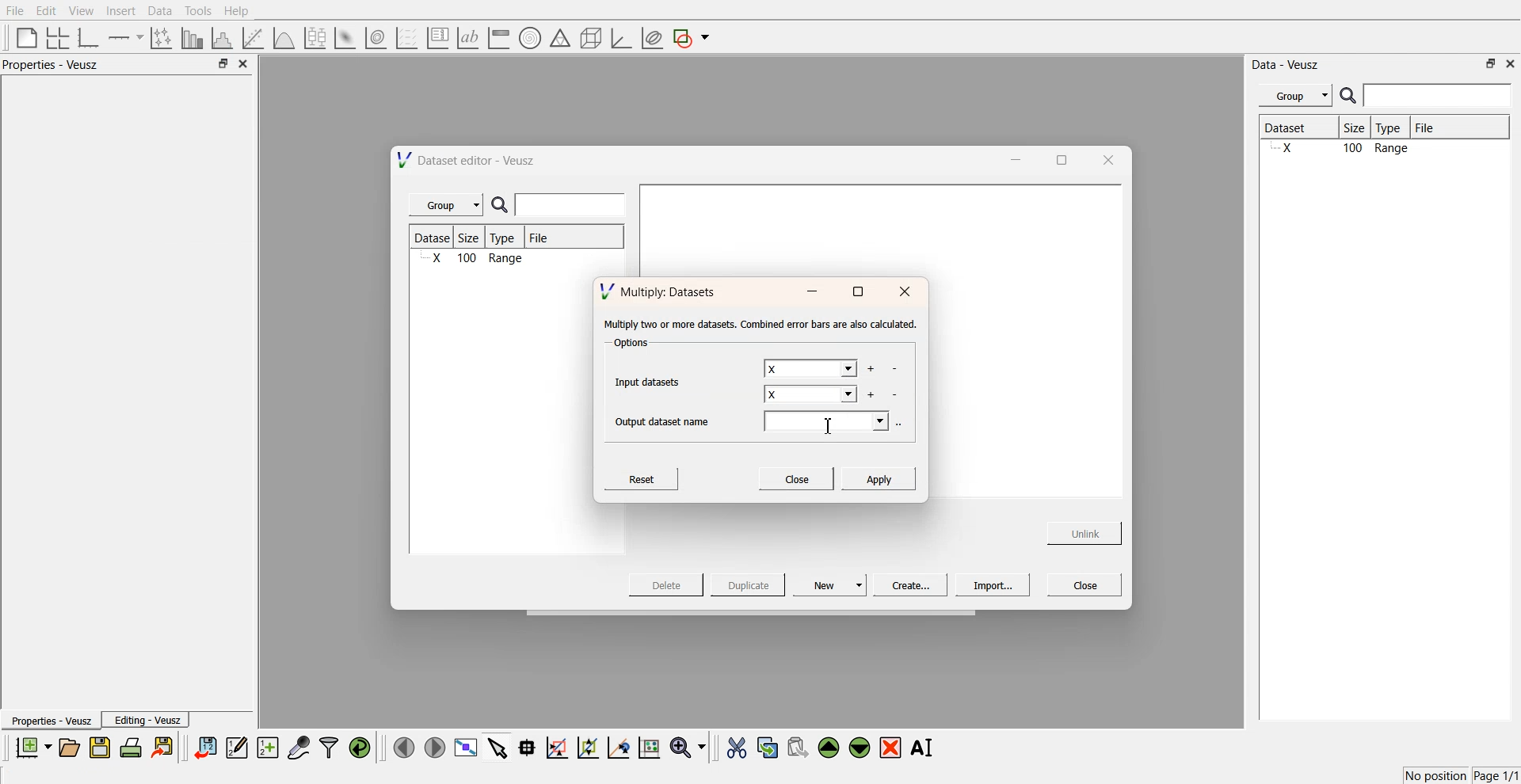 The image size is (1521, 784). What do you see at coordinates (629, 344) in the screenshot?
I see `Options` at bounding box center [629, 344].